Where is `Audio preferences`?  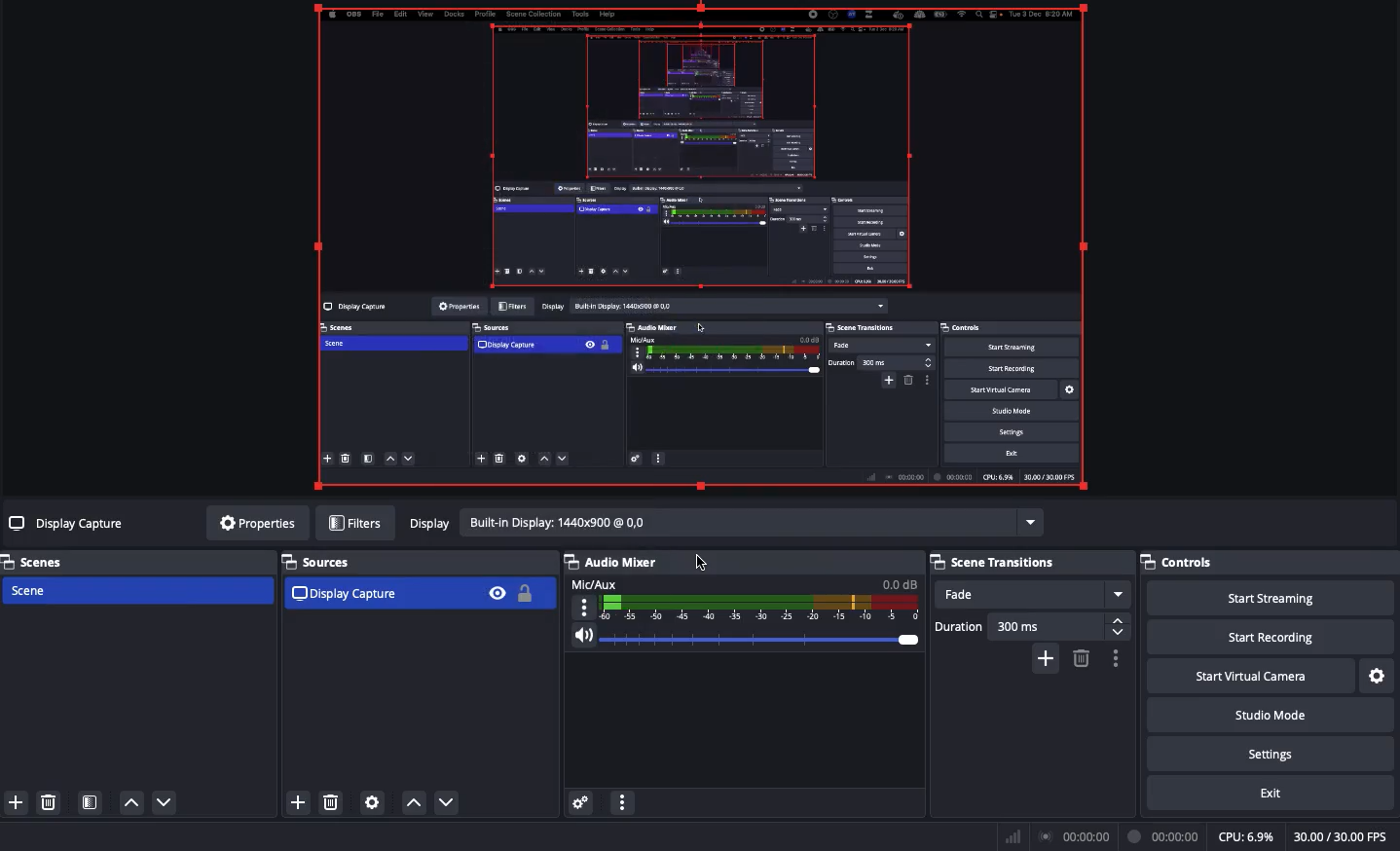 Audio preferences is located at coordinates (584, 803).